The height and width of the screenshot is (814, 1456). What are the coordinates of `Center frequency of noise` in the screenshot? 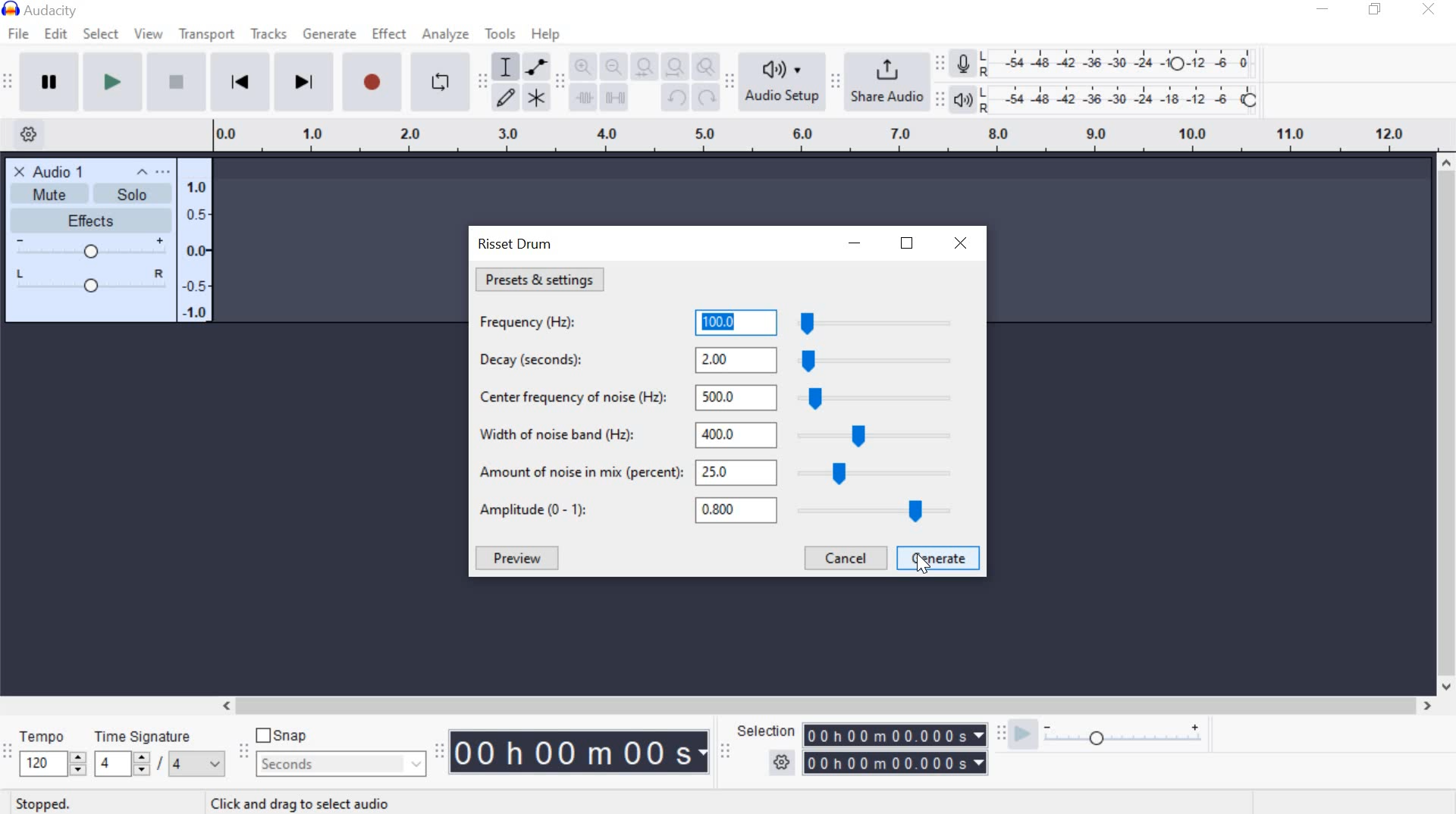 It's located at (723, 395).